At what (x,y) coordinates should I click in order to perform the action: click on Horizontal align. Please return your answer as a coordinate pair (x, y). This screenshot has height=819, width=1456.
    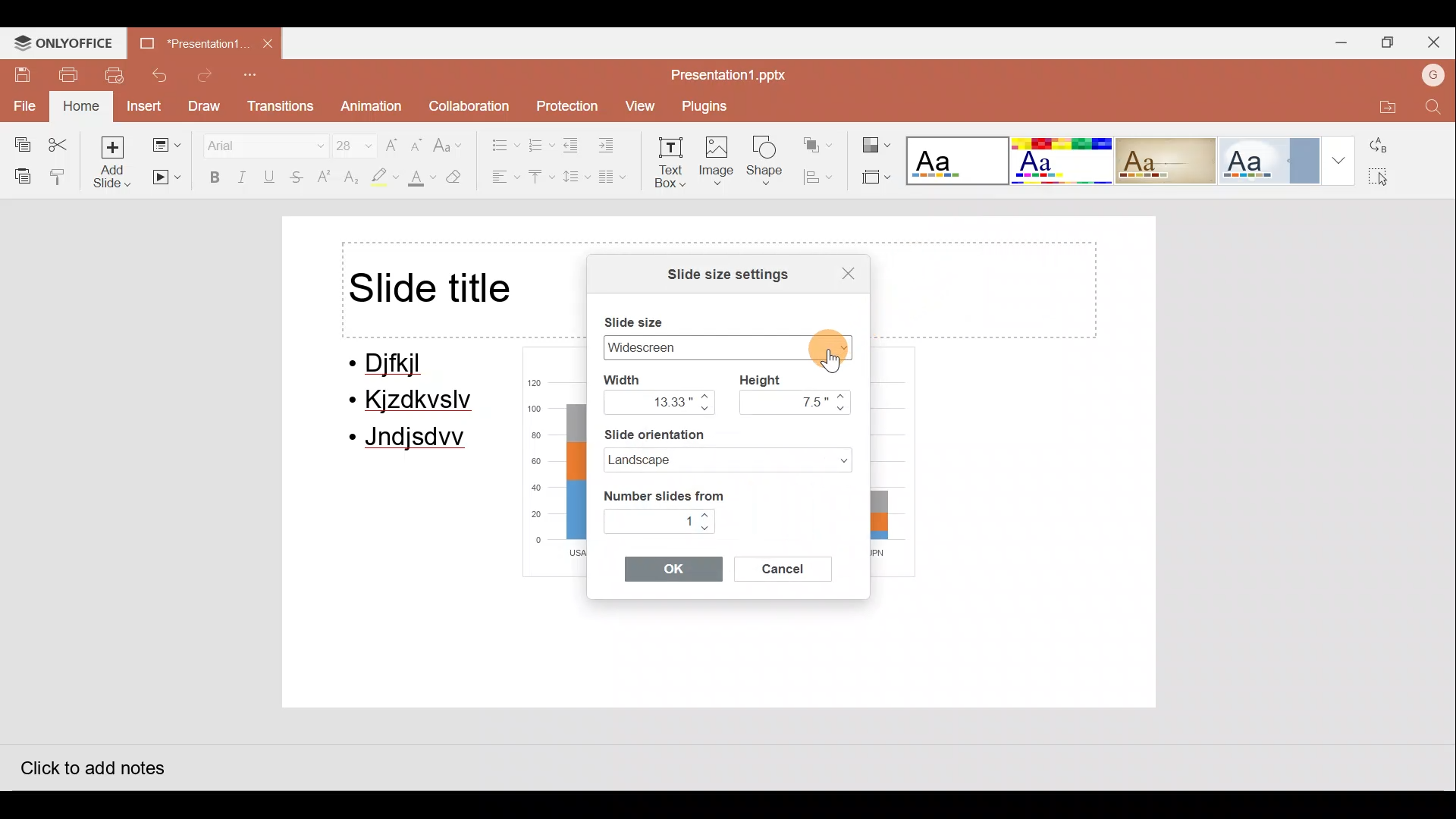
    Looking at the image, I should click on (501, 178).